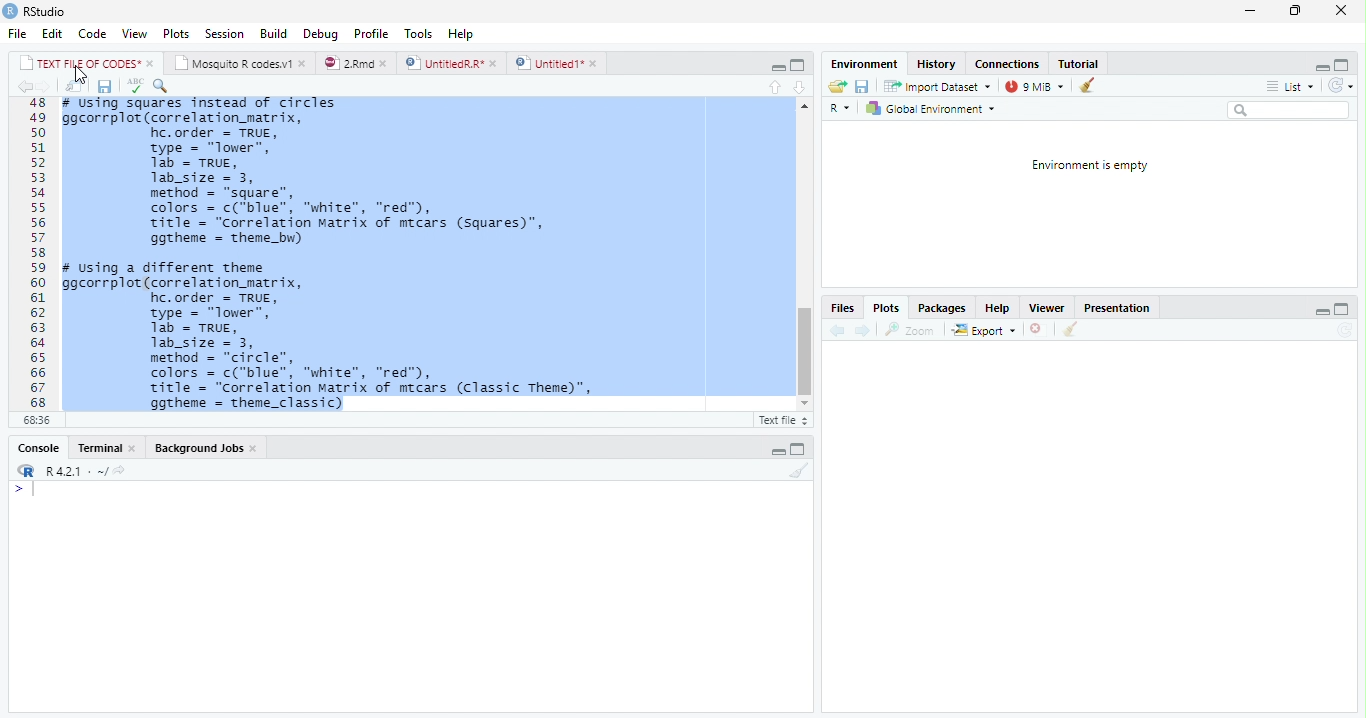  Describe the element at coordinates (356, 62) in the screenshot. I see `2rmd` at that location.